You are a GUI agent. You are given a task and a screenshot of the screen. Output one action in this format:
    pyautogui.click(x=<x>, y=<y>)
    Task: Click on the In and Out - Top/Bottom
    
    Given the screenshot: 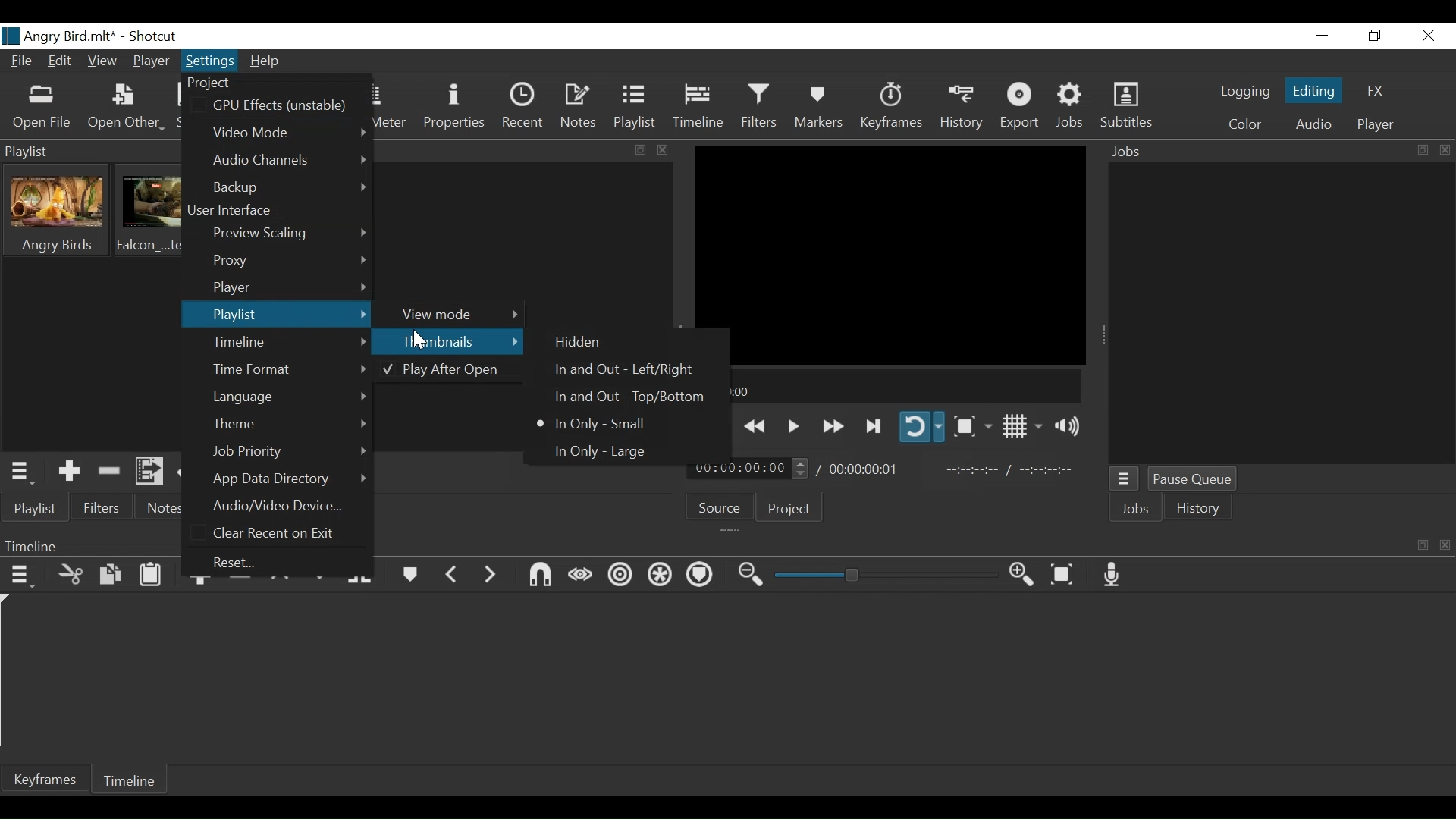 What is the action you would take?
    pyautogui.click(x=618, y=398)
    